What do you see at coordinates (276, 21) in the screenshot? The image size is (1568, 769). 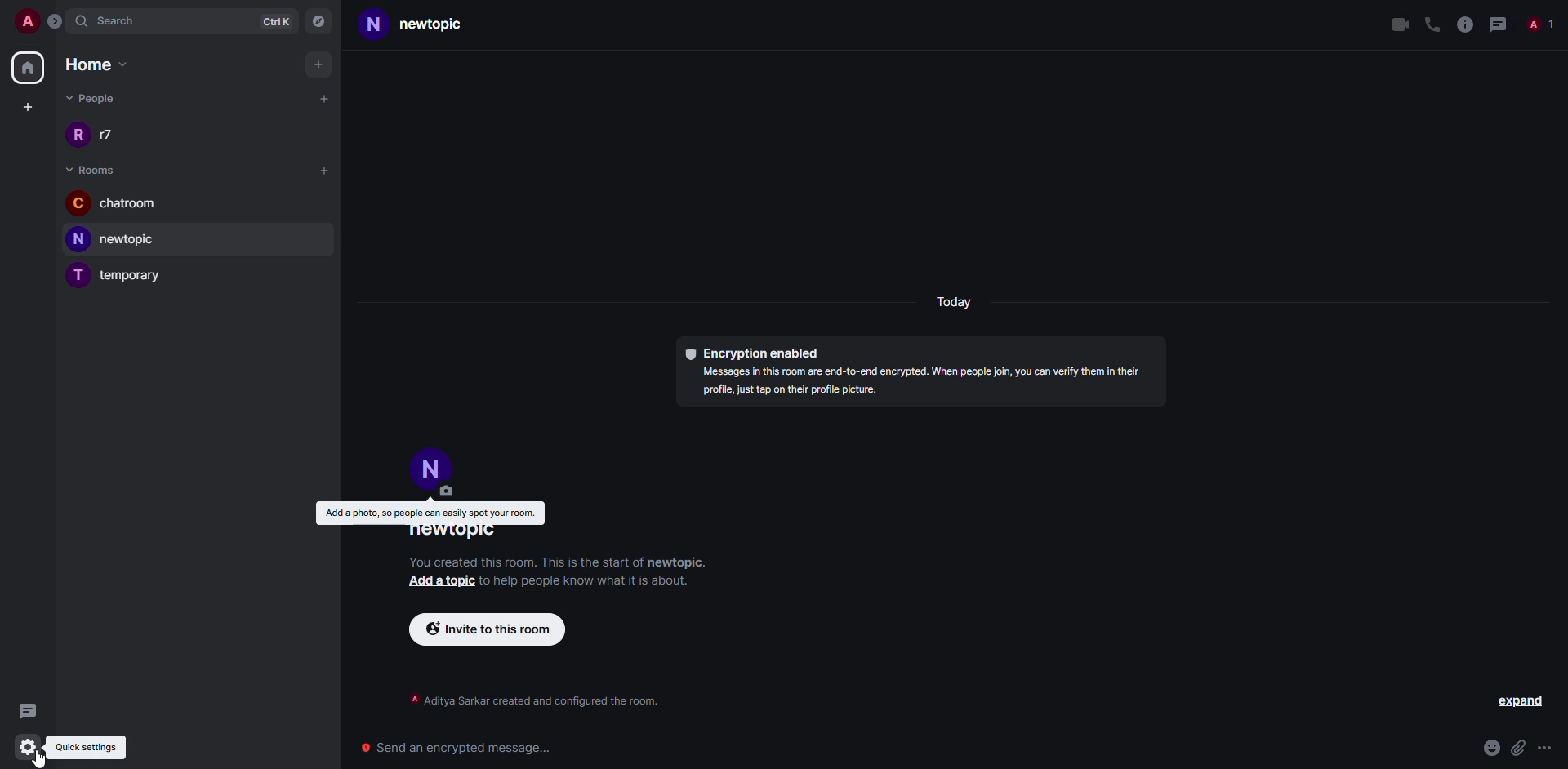 I see `ctrlK` at bounding box center [276, 21].